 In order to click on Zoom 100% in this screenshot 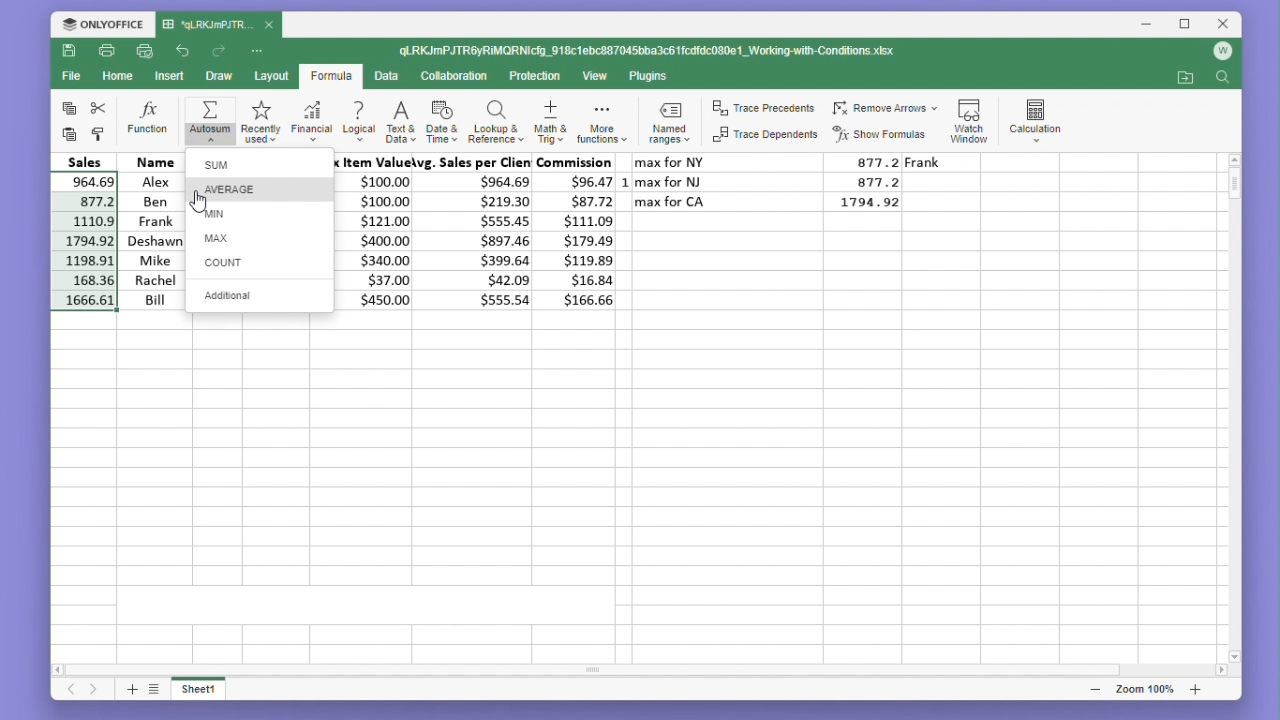, I will do `click(1150, 689)`.